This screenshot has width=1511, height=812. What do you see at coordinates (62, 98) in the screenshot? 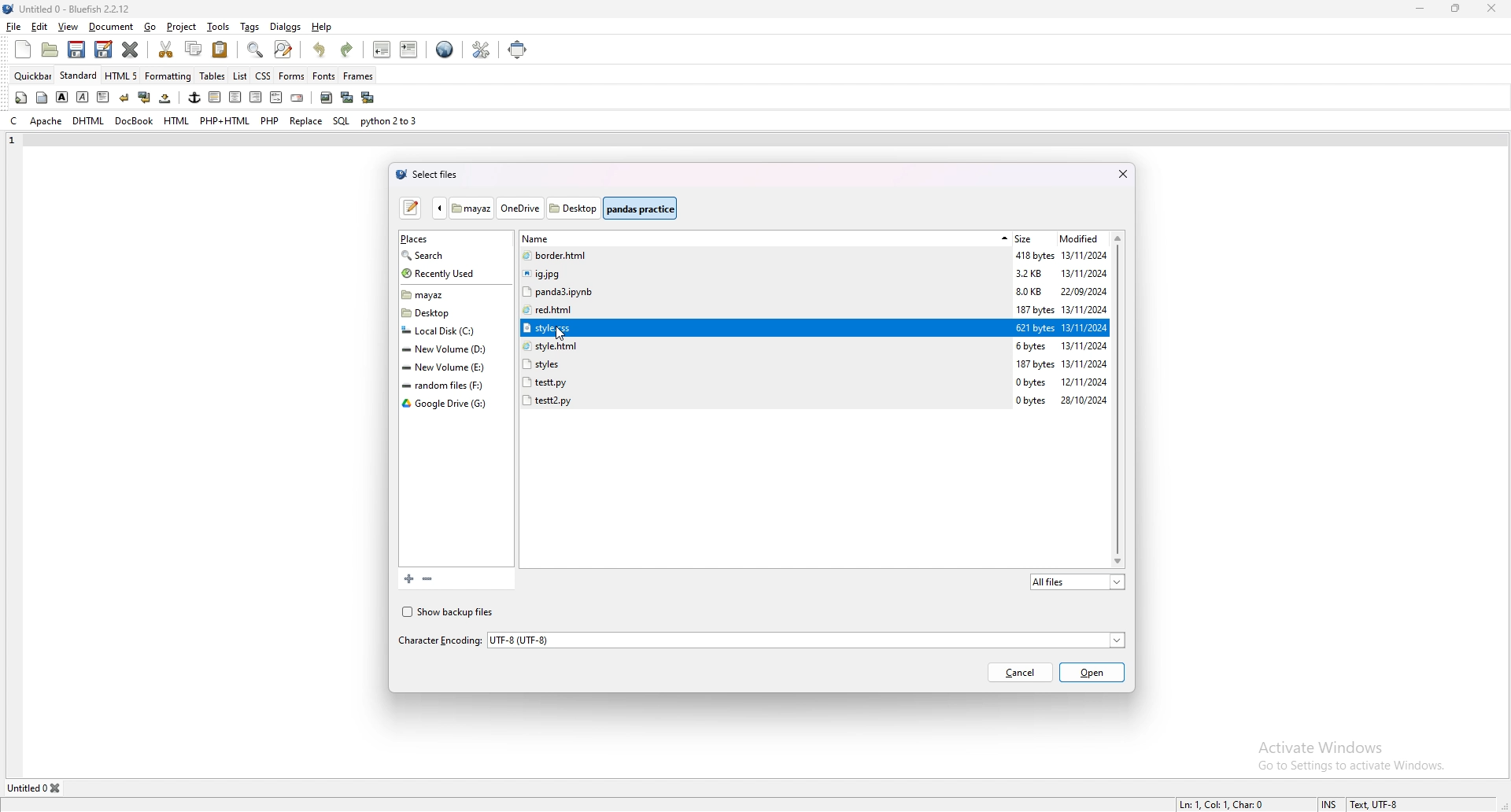
I see `bold` at bounding box center [62, 98].